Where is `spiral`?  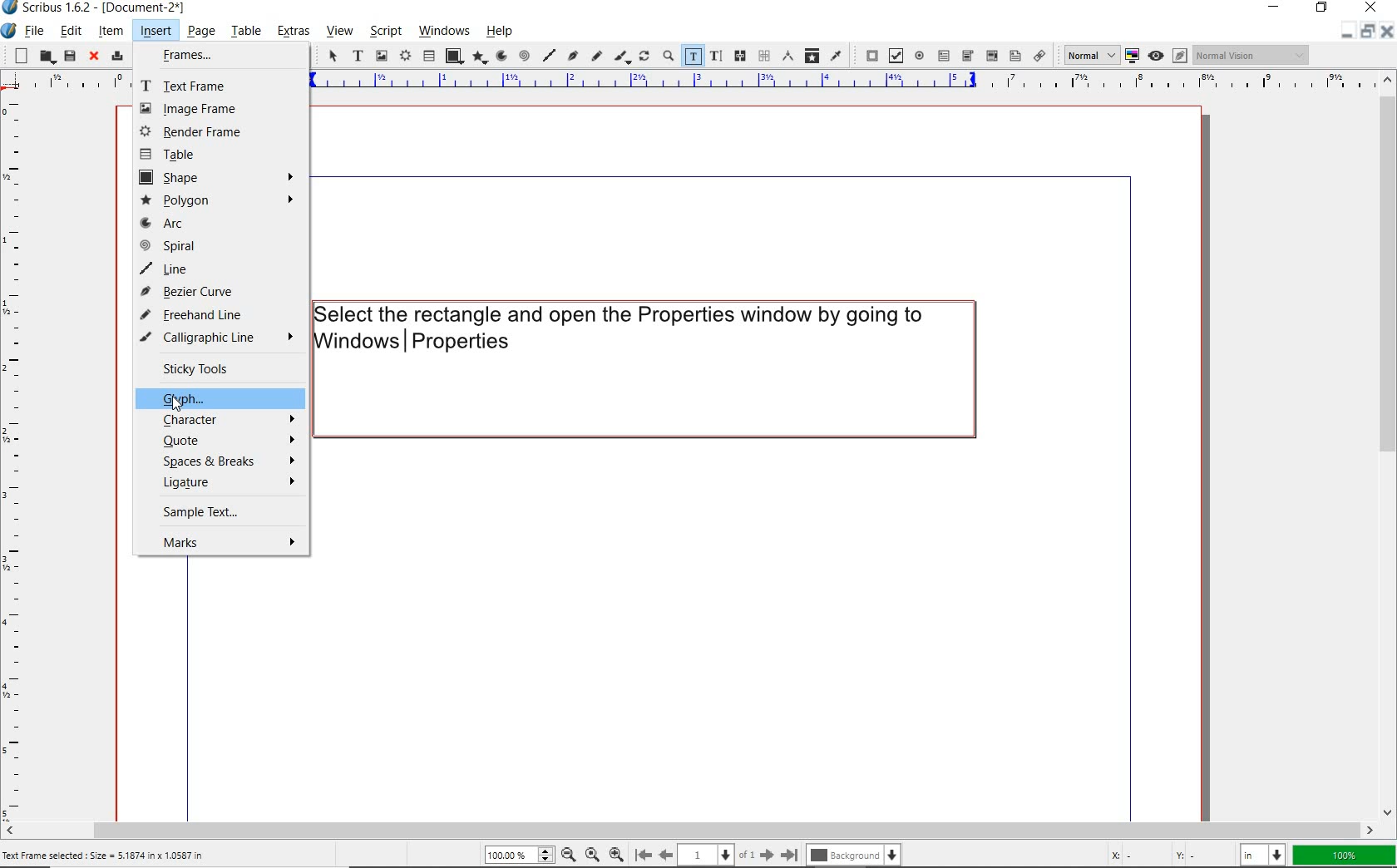
spiral is located at coordinates (524, 55).